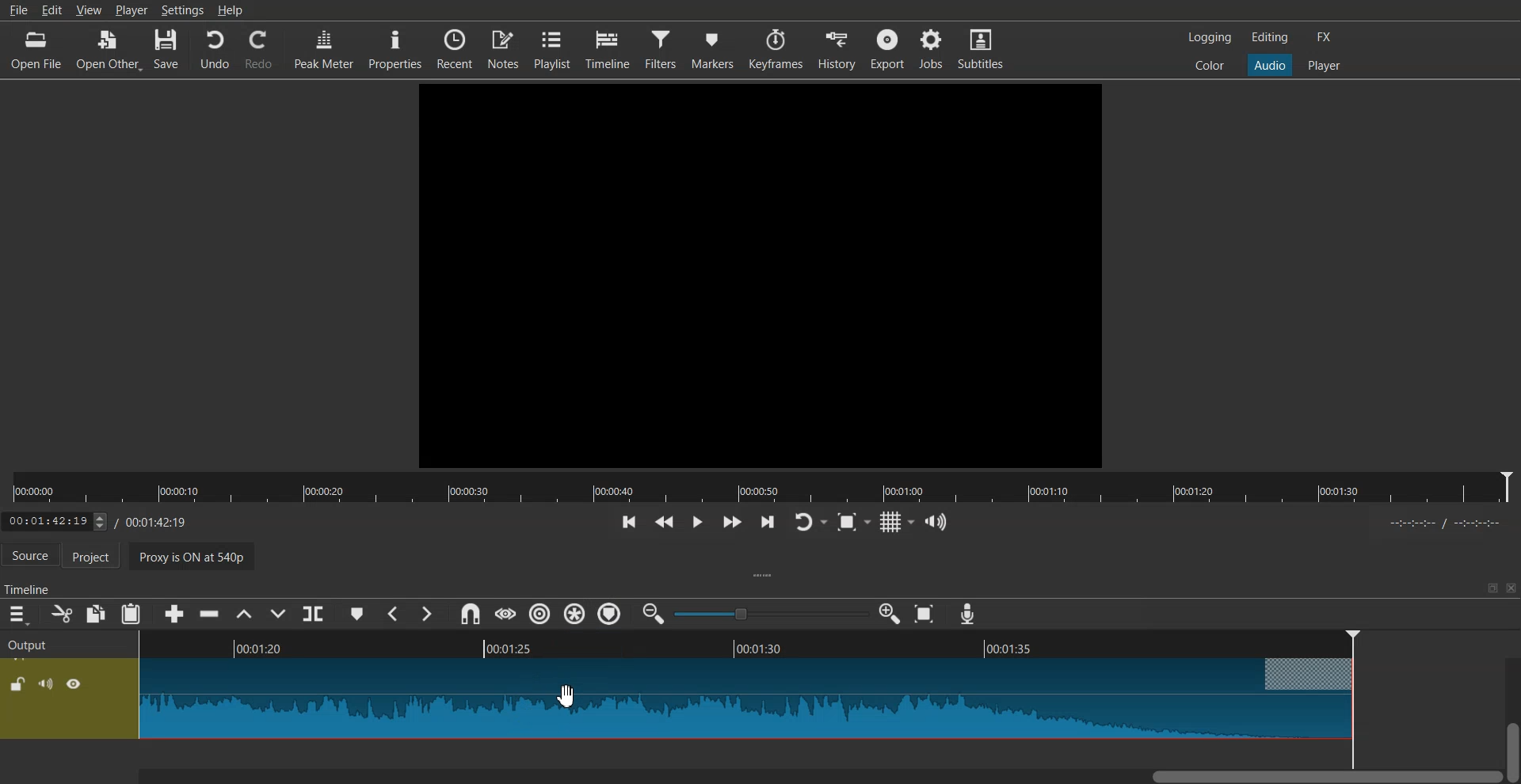 This screenshot has height=784, width=1521. What do you see at coordinates (890, 614) in the screenshot?
I see `Zoom timeline in` at bounding box center [890, 614].